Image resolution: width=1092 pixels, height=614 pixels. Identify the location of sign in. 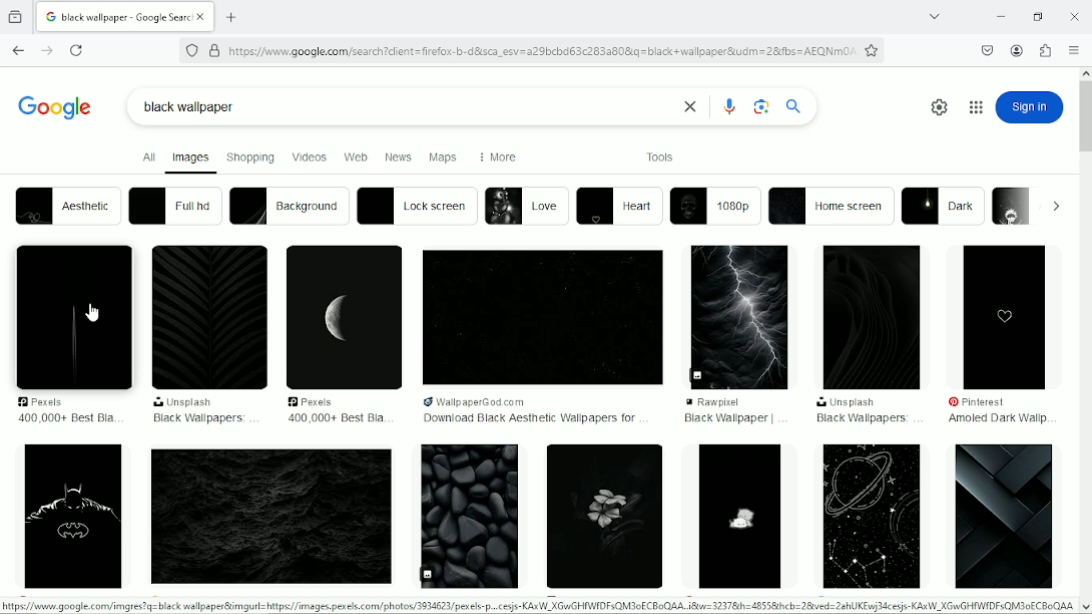
(1030, 107).